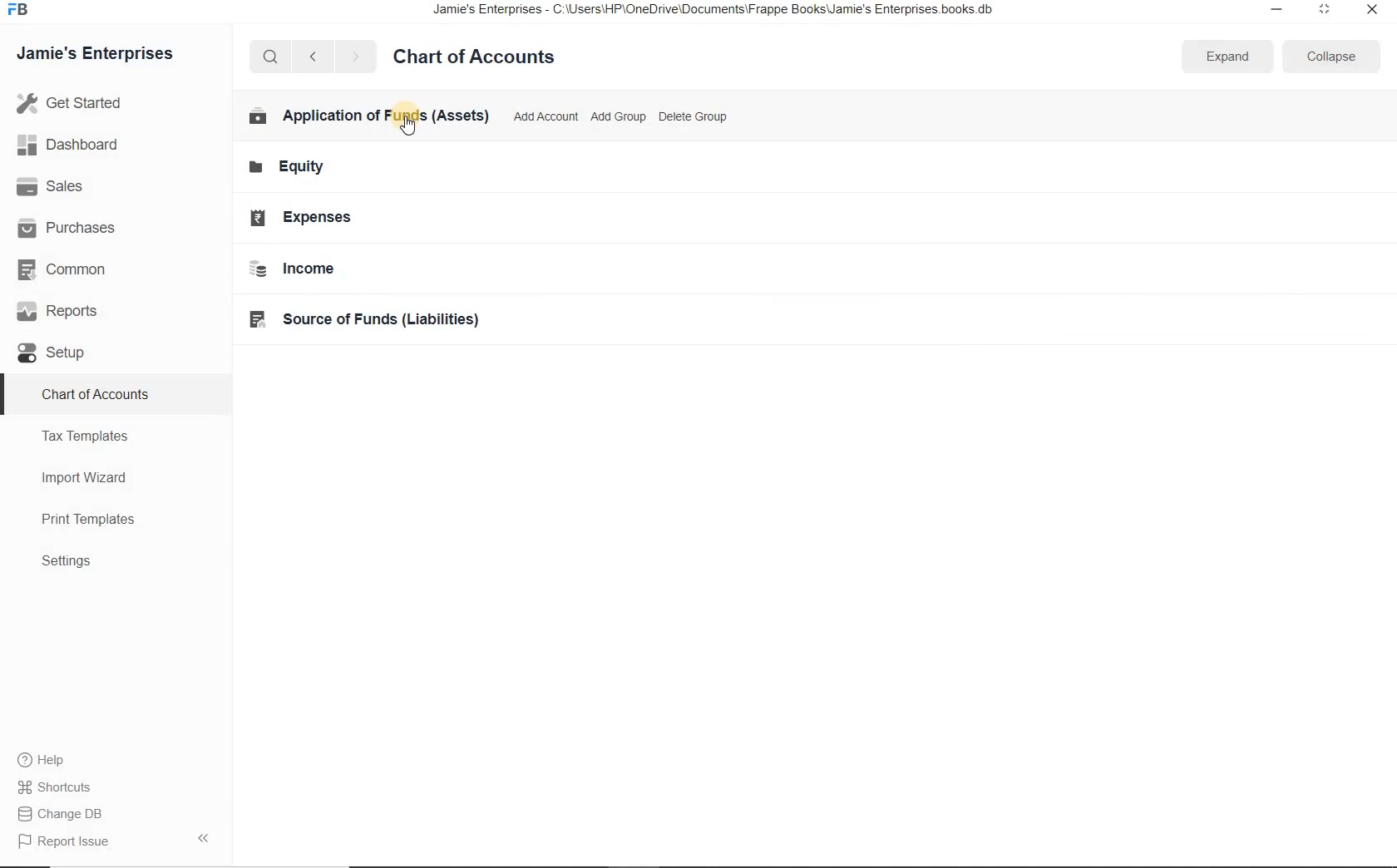 This screenshot has width=1397, height=868. Describe the element at coordinates (68, 842) in the screenshot. I see `Report Issue` at that location.